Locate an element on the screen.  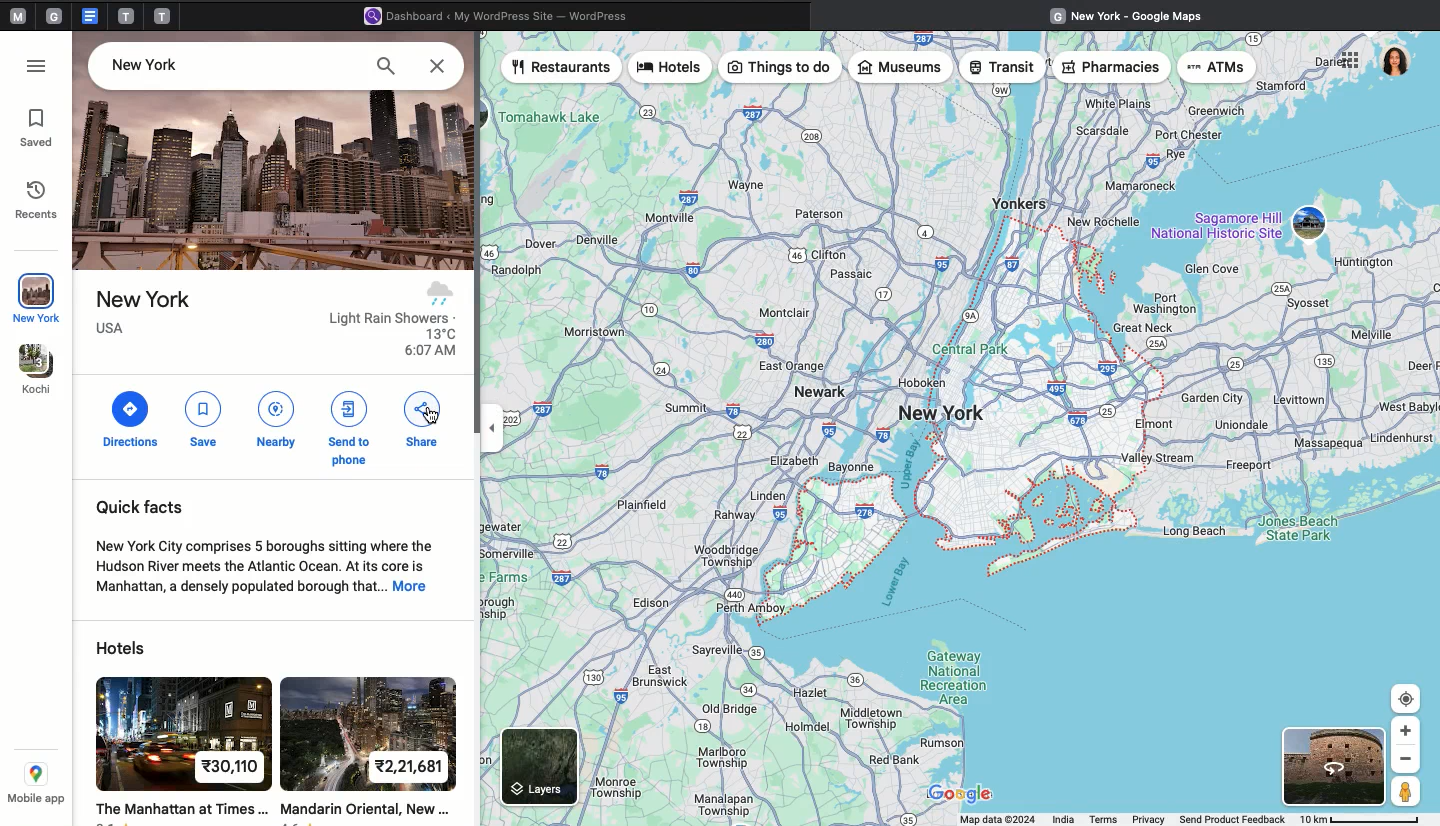
Directions is located at coordinates (133, 418).